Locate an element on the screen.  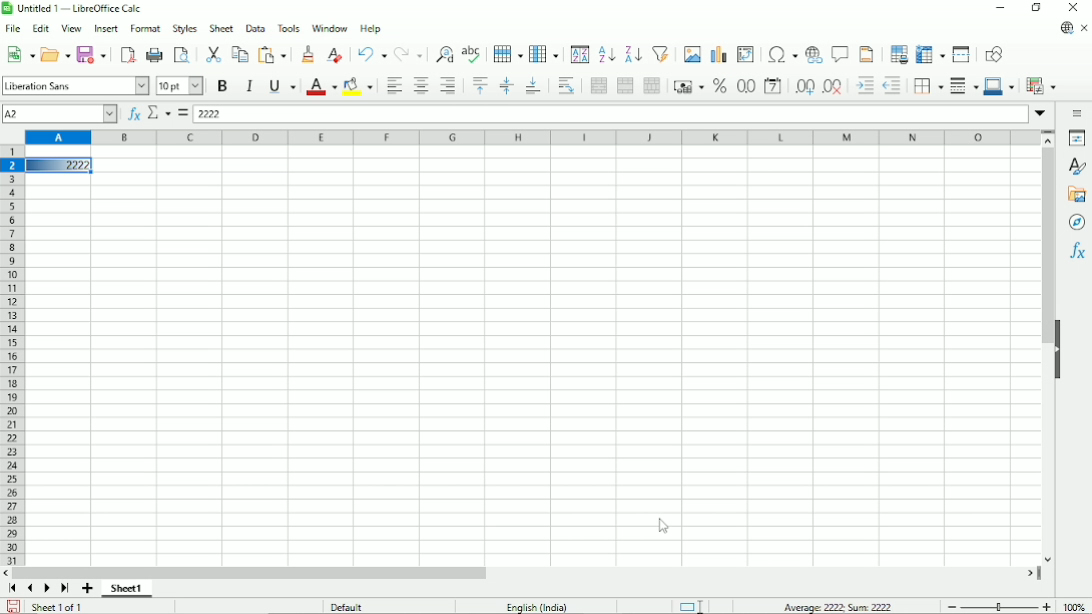
Bold is located at coordinates (223, 86).